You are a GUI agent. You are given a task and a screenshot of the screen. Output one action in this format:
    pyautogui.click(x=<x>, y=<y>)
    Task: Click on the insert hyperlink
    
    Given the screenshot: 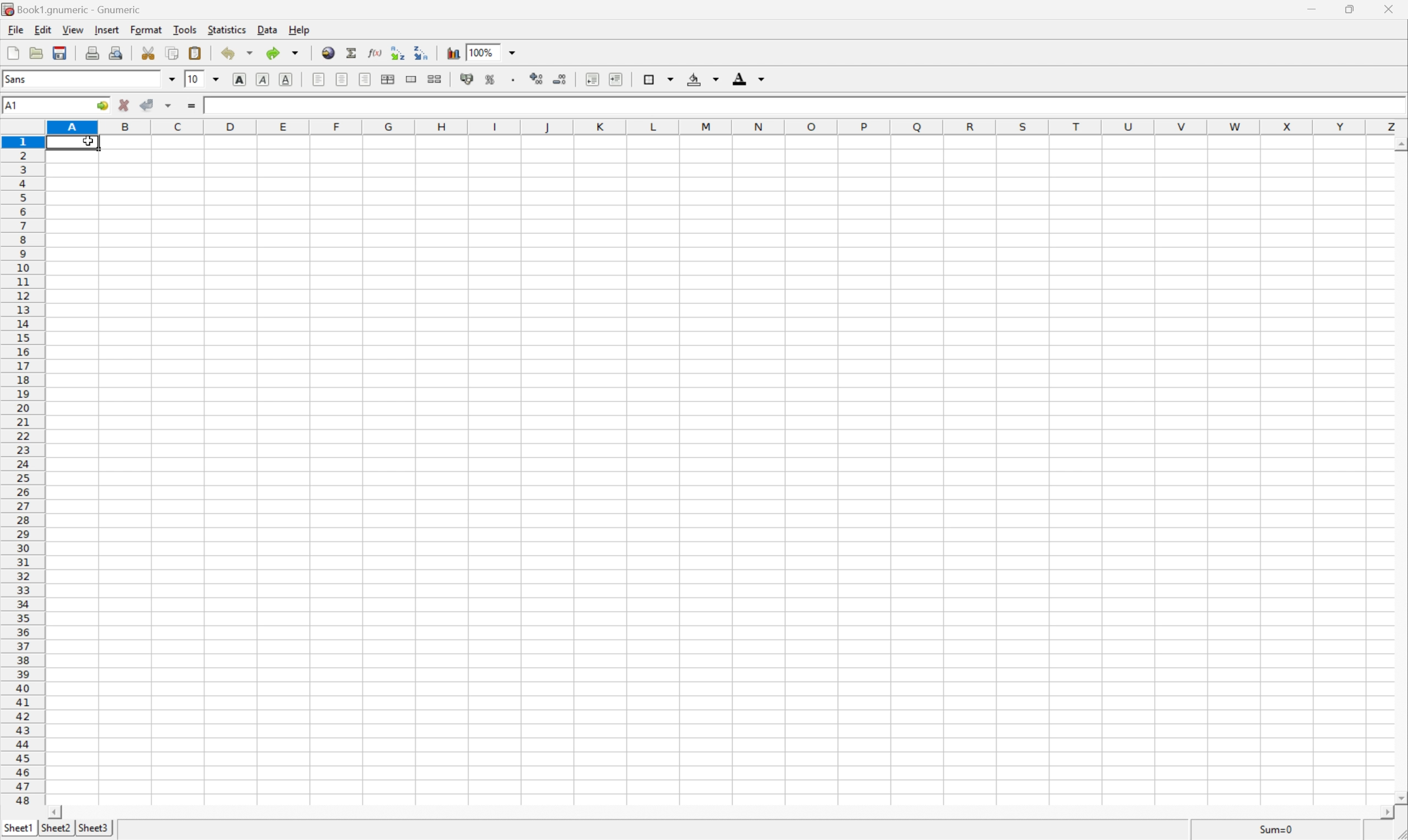 What is the action you would take?
    pyautogui.click(x=327, y=52)
    